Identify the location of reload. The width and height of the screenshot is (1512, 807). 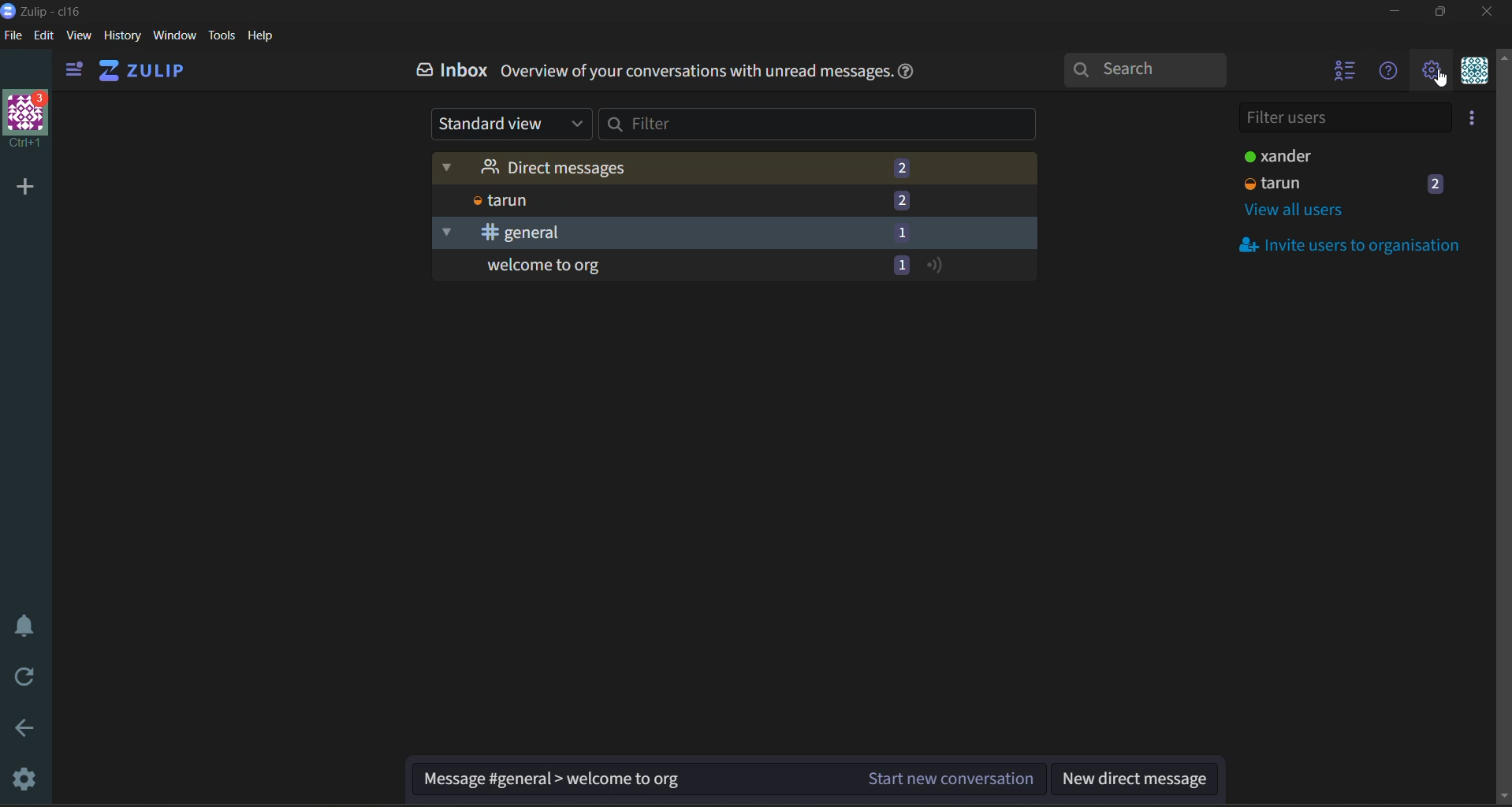
(28, 680).